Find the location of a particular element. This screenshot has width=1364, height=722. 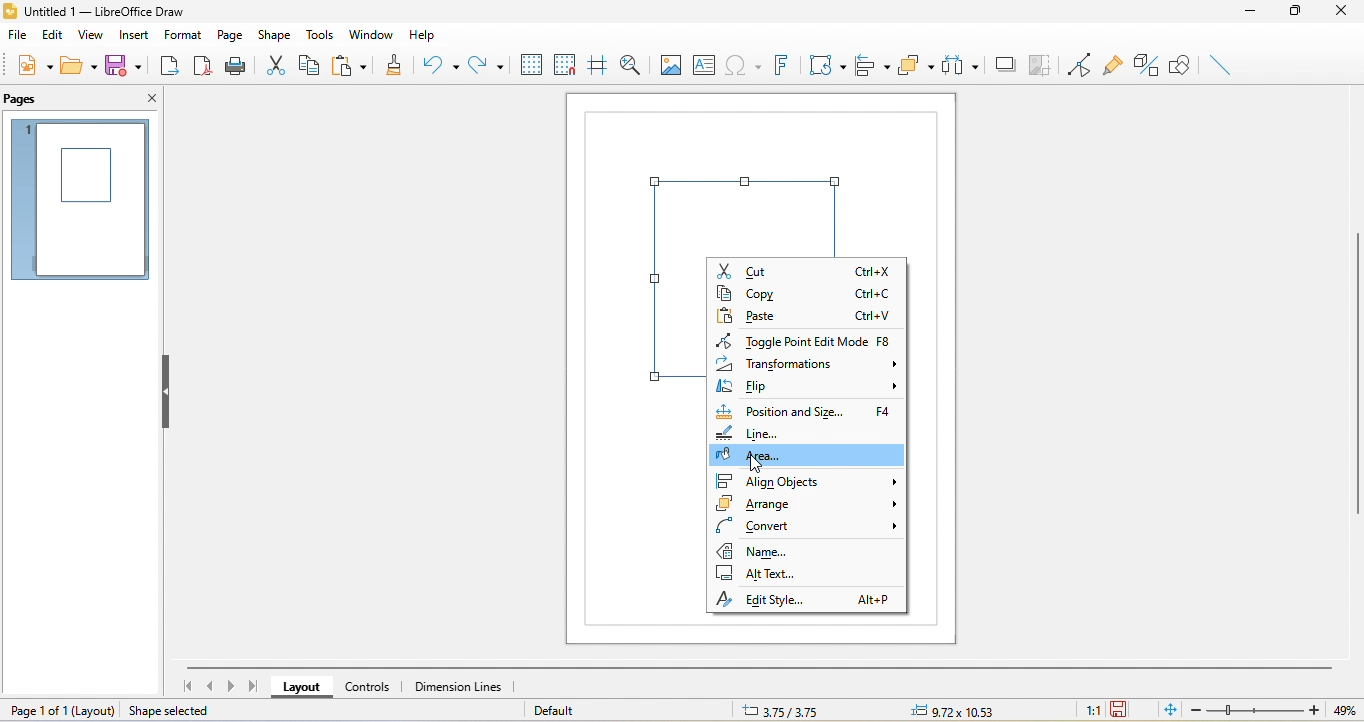

fit to the current window is located at coordinates (1171, 711).